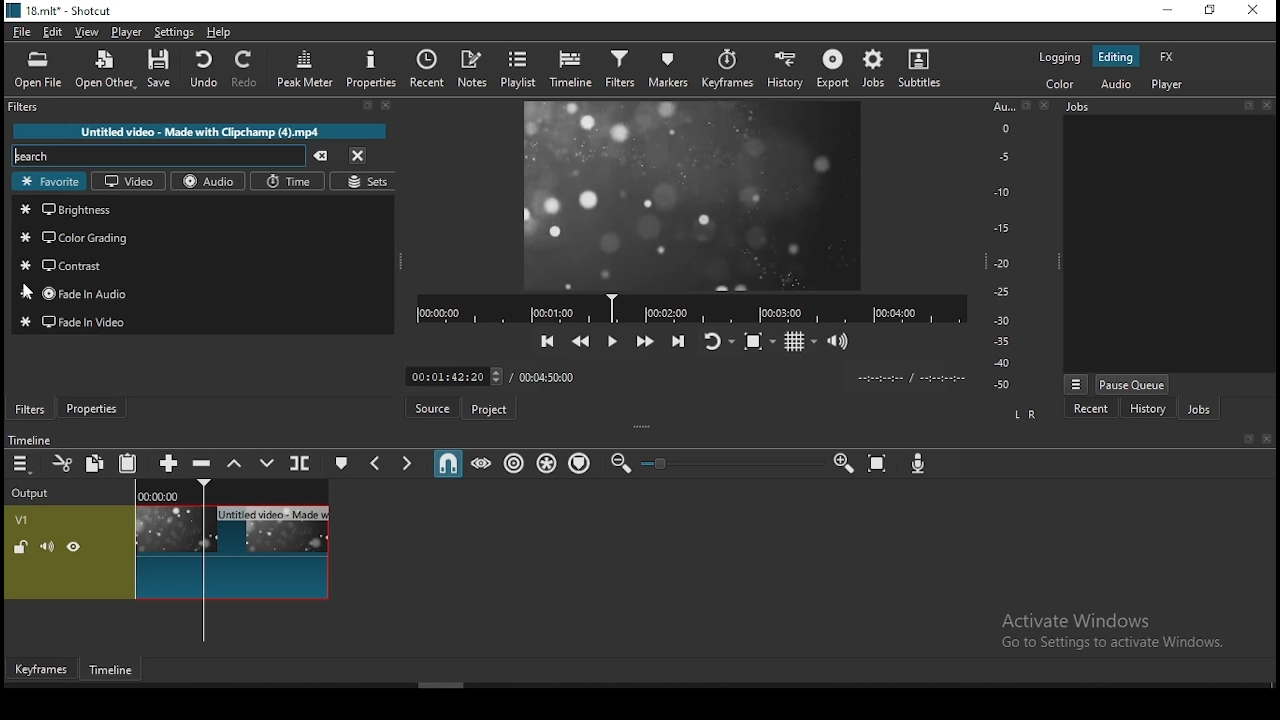 The image size is (1280, 720). Describe the element at coordinates (799, 342) in the screenshot. I see `toggle grids display` at that location.